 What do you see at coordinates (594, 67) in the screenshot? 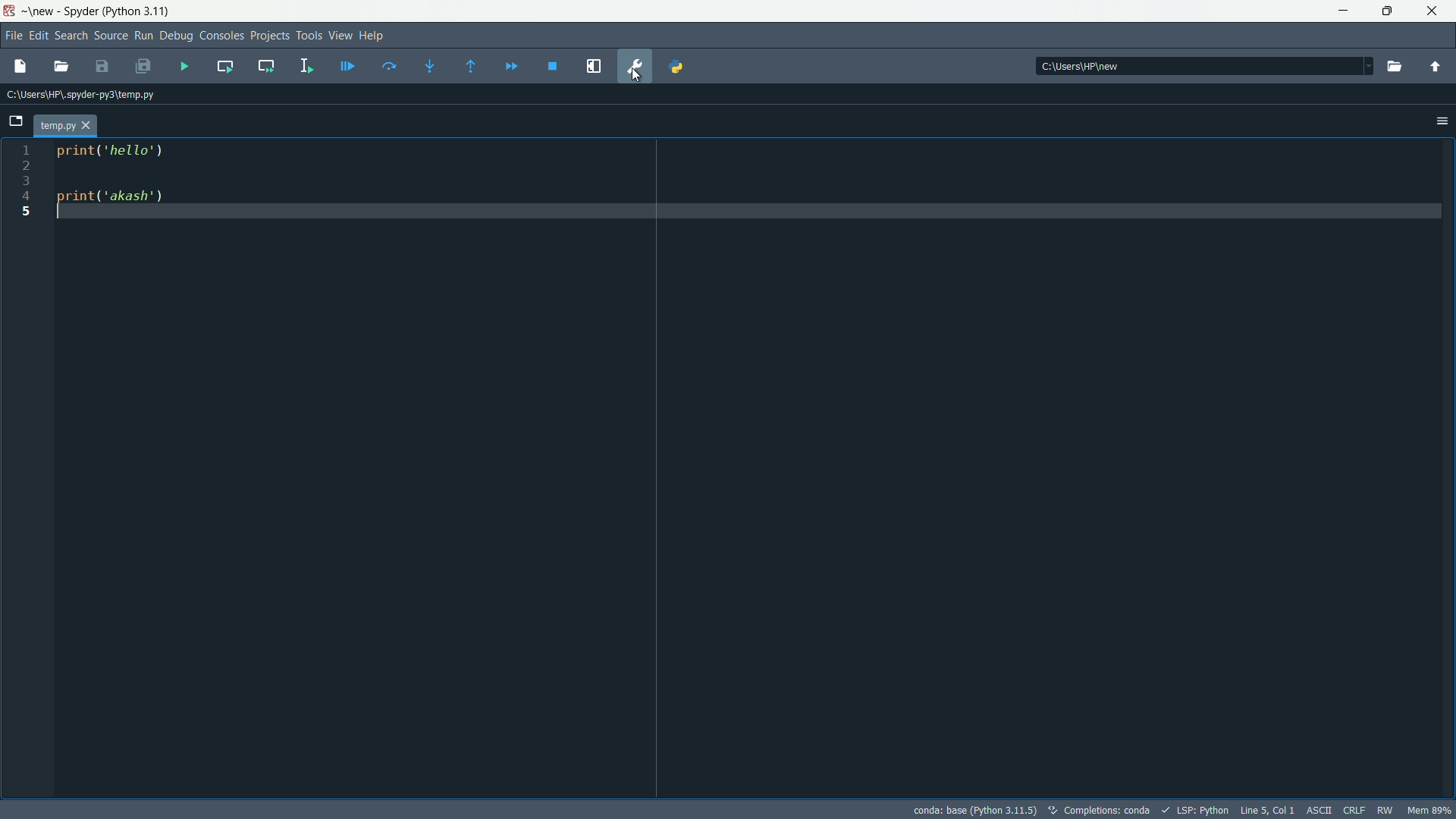
I see `maximize current pane` at bounding box center [594, 67].